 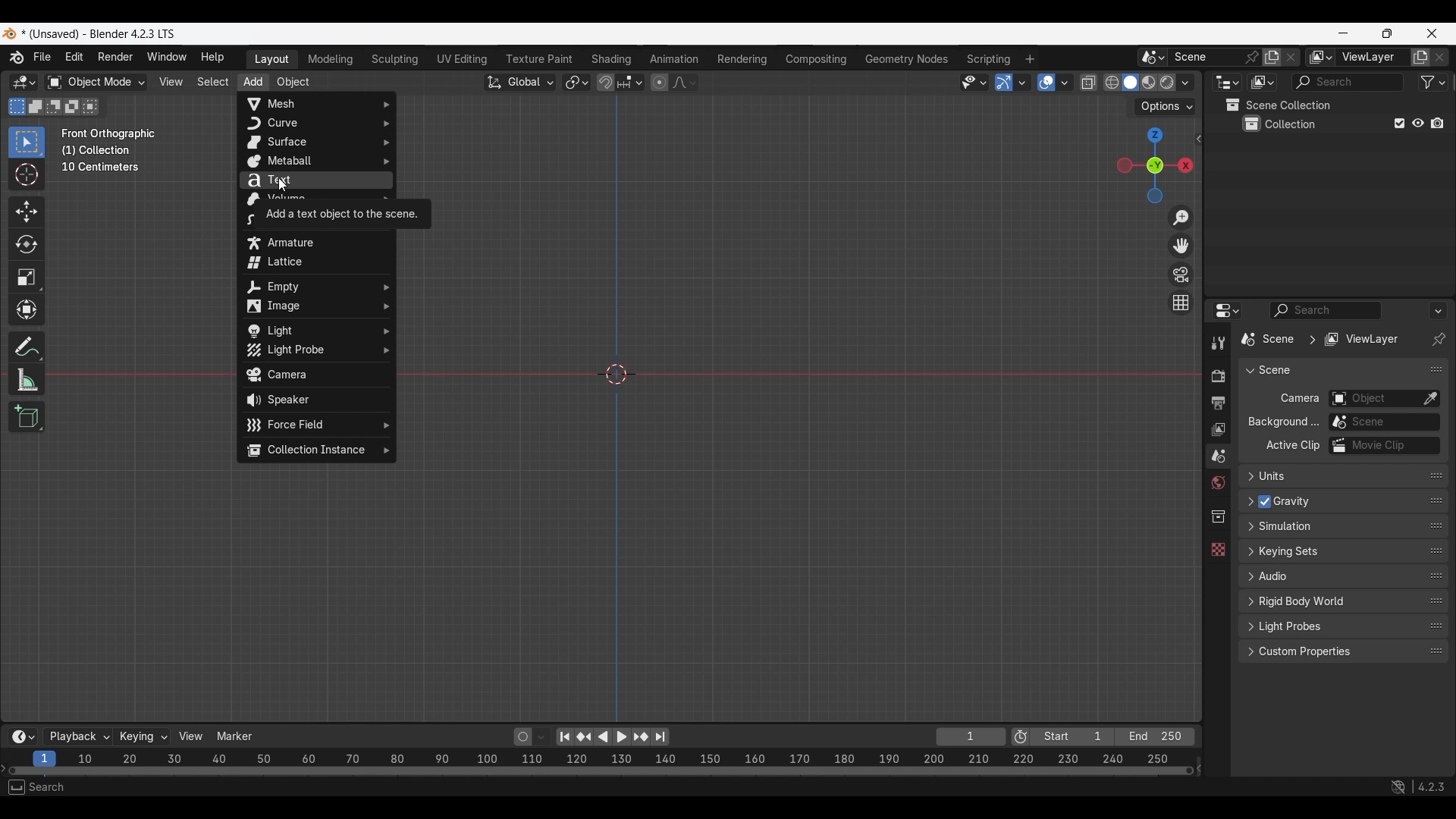 What do you see at coordinates (1432, 786) in the screenshot?
I see `4.2.3` at bounding box center [1432, 786].